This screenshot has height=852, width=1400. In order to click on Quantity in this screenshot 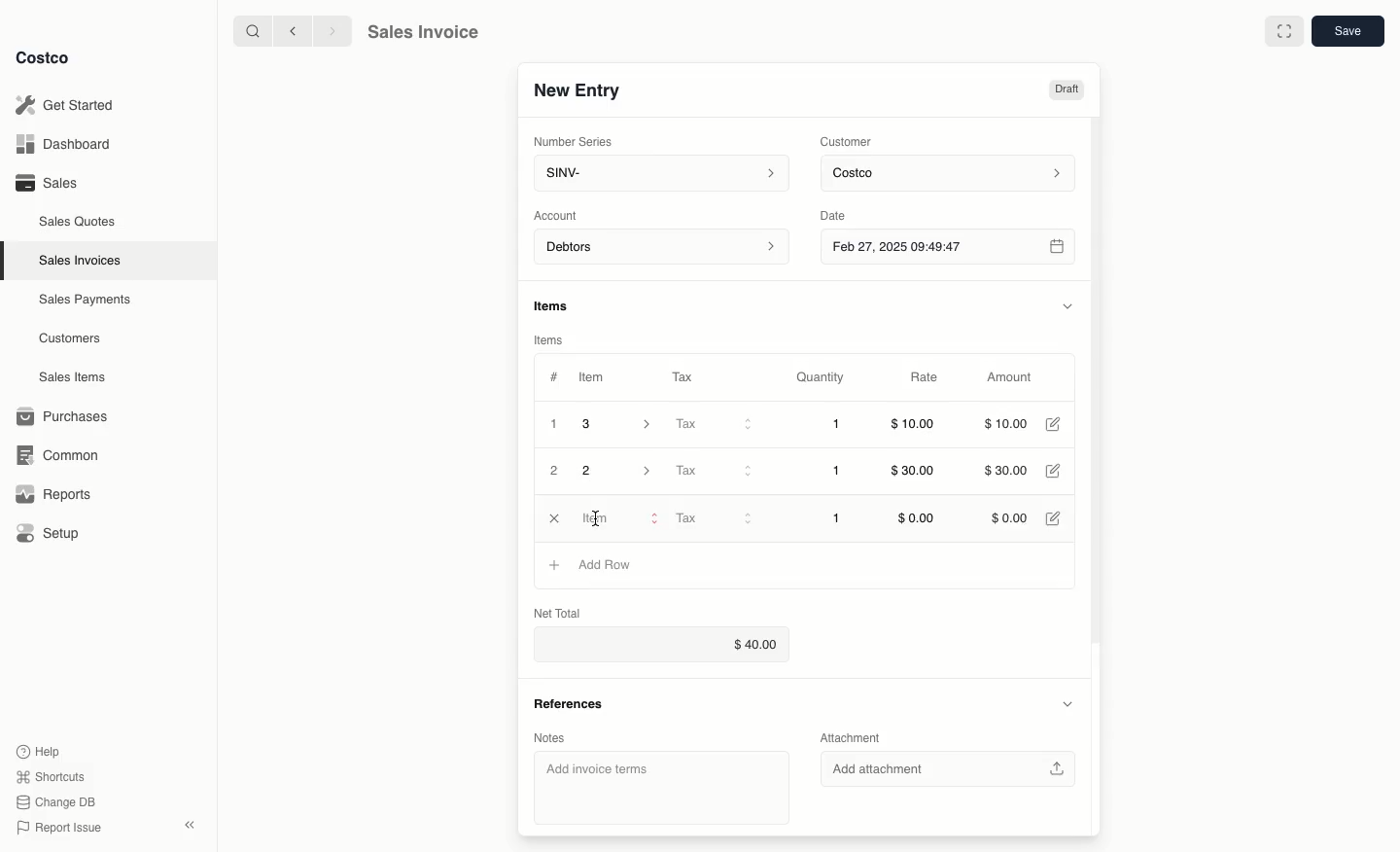, I will do `click(822, 377)`.